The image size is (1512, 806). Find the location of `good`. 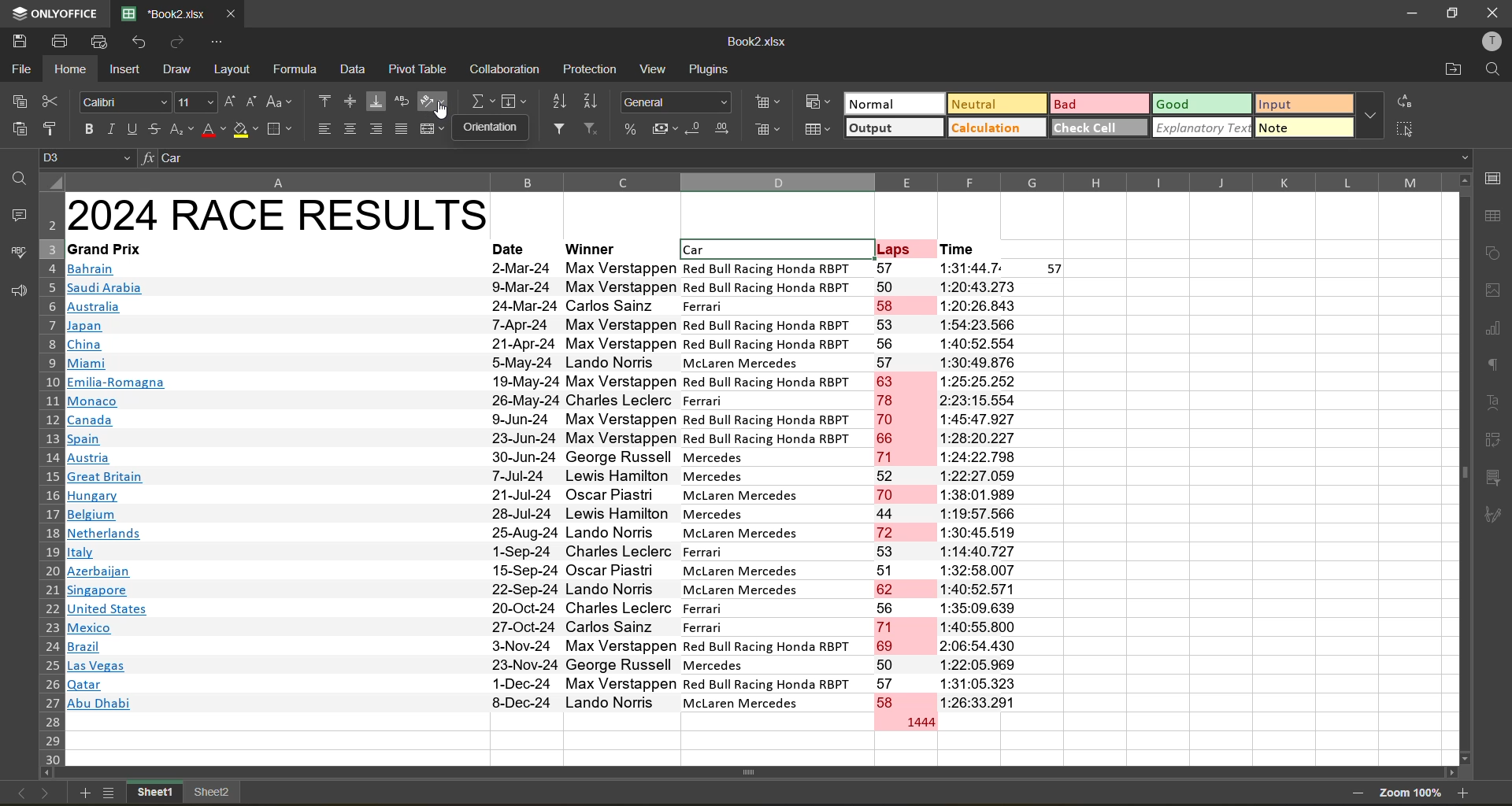

good is located at coordinates (1201, 104).